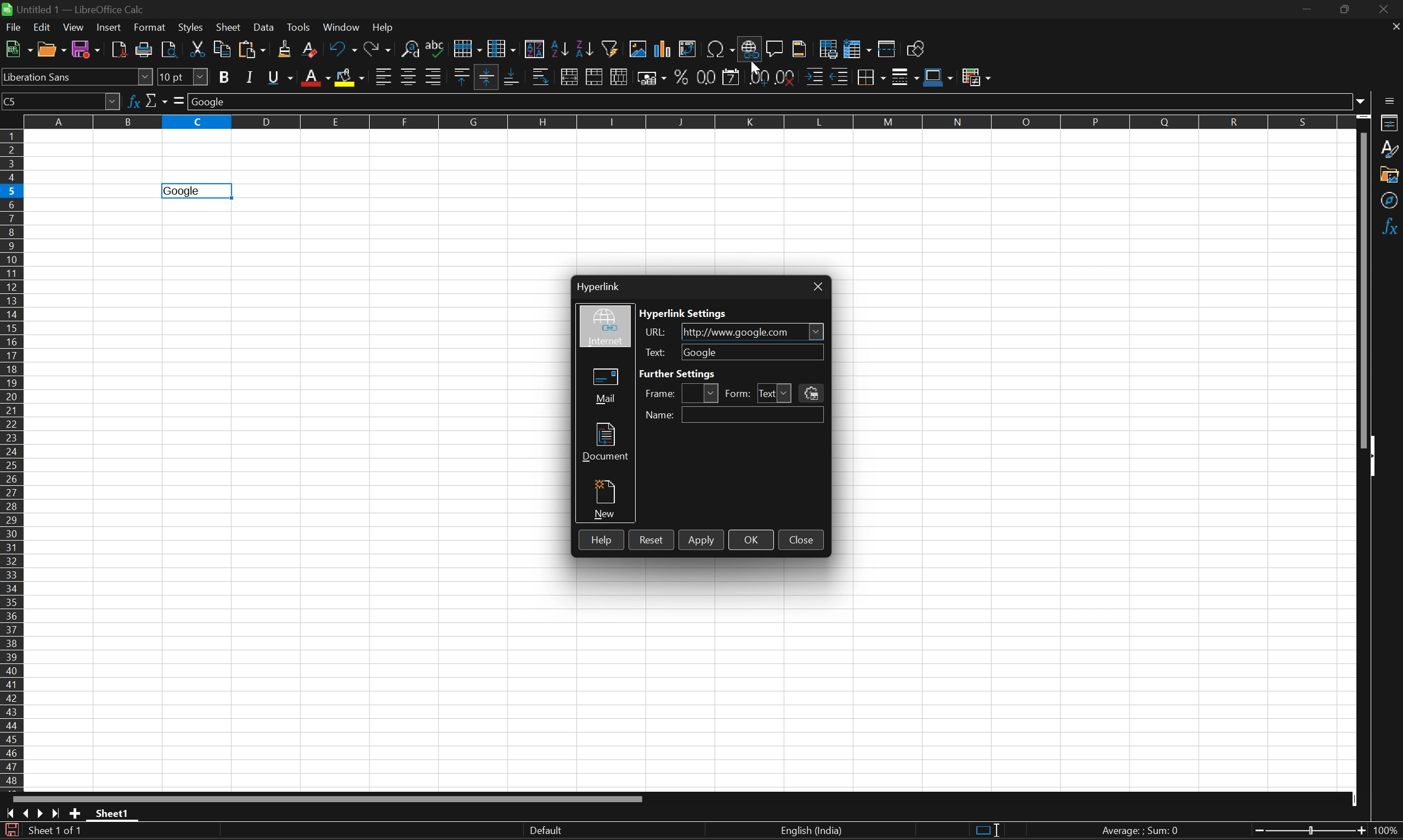 This screenshot has height=840, width=1403. What do you see at coordinates (18, 49) in the screenshot?
I see `New` at bounding box center [18, 49].